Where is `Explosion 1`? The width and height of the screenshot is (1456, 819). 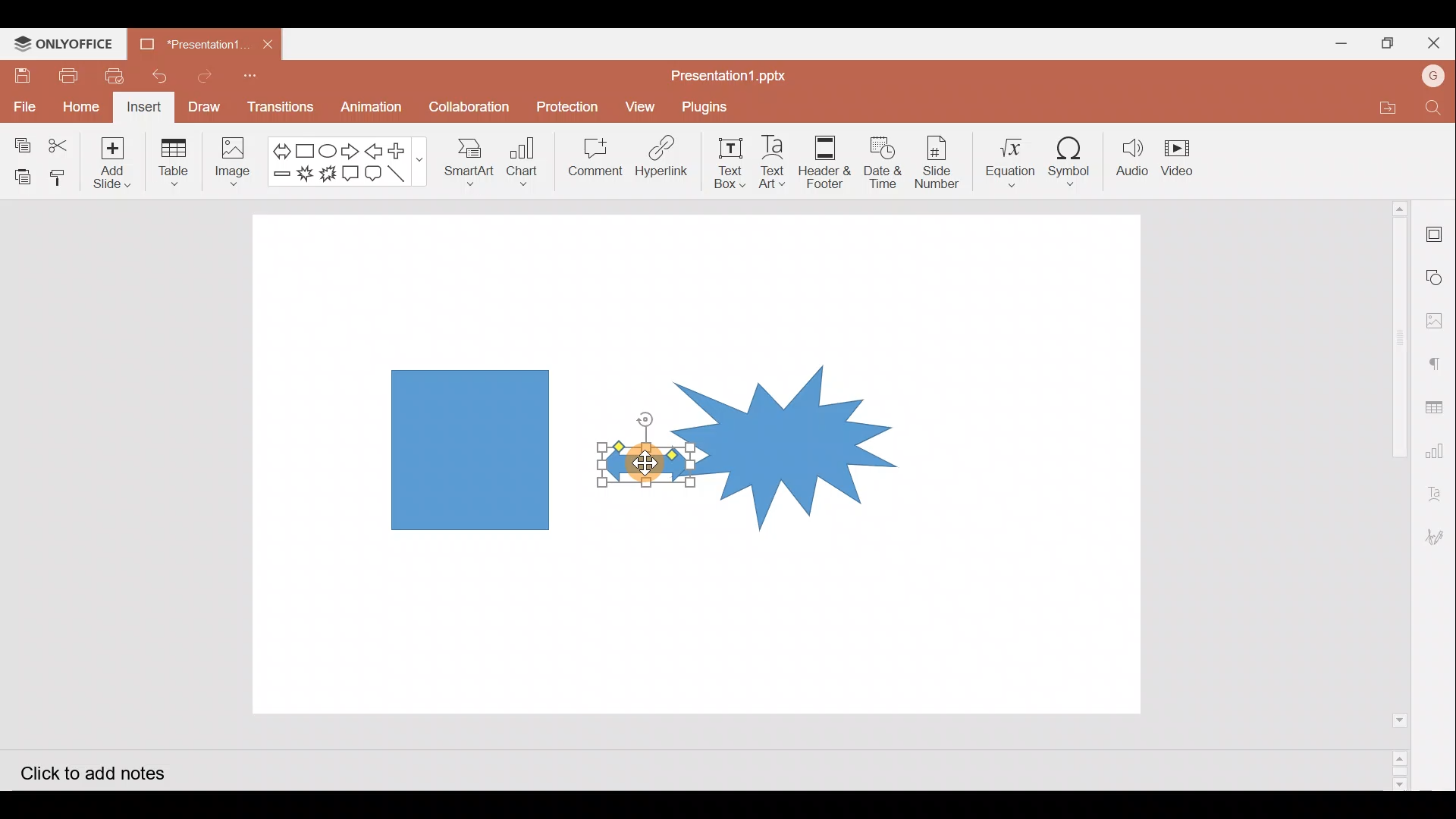 Explosion 1 is located at coordinates (305, 174).